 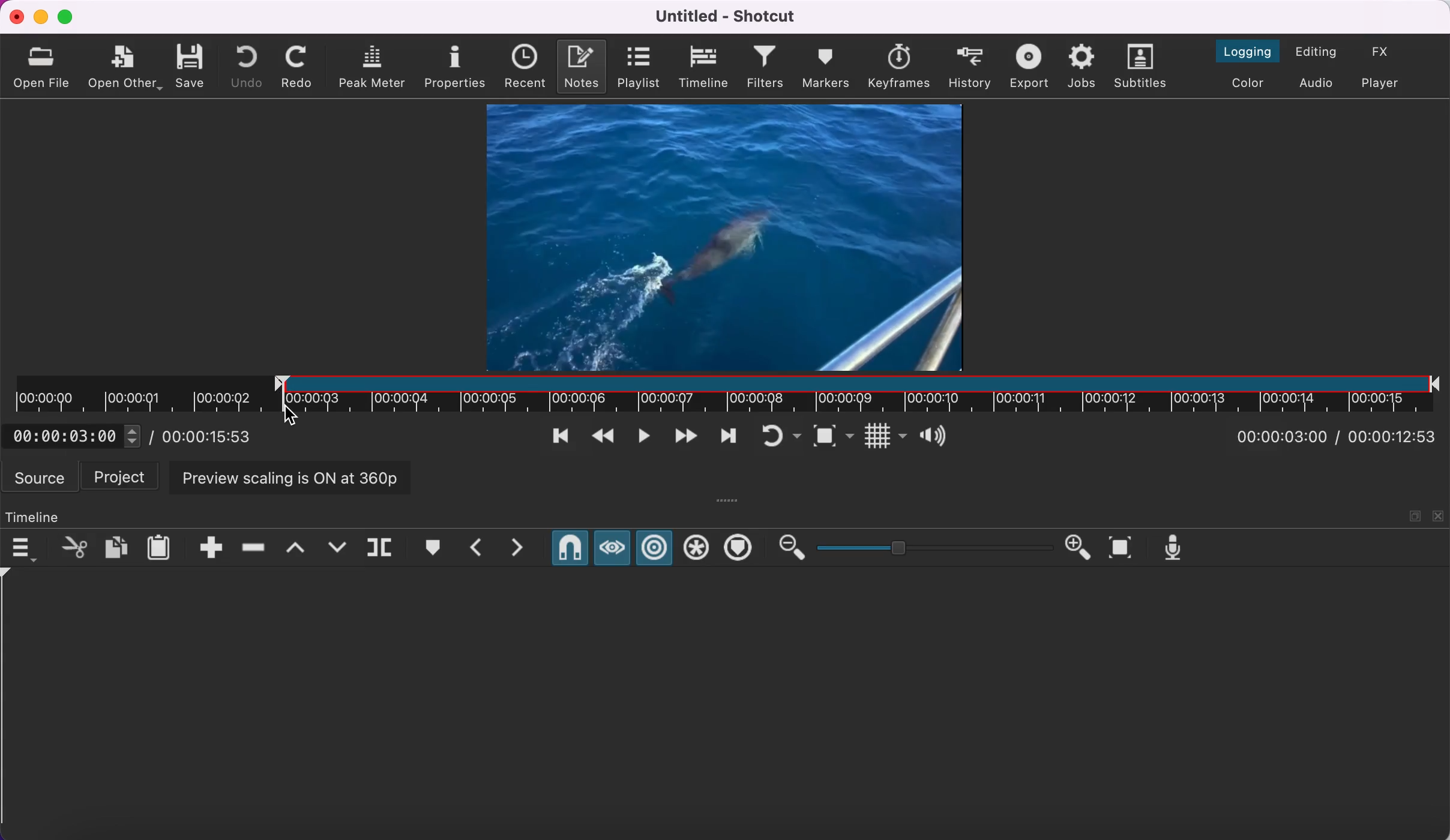 I want to click on , so click(x=933, y=435).